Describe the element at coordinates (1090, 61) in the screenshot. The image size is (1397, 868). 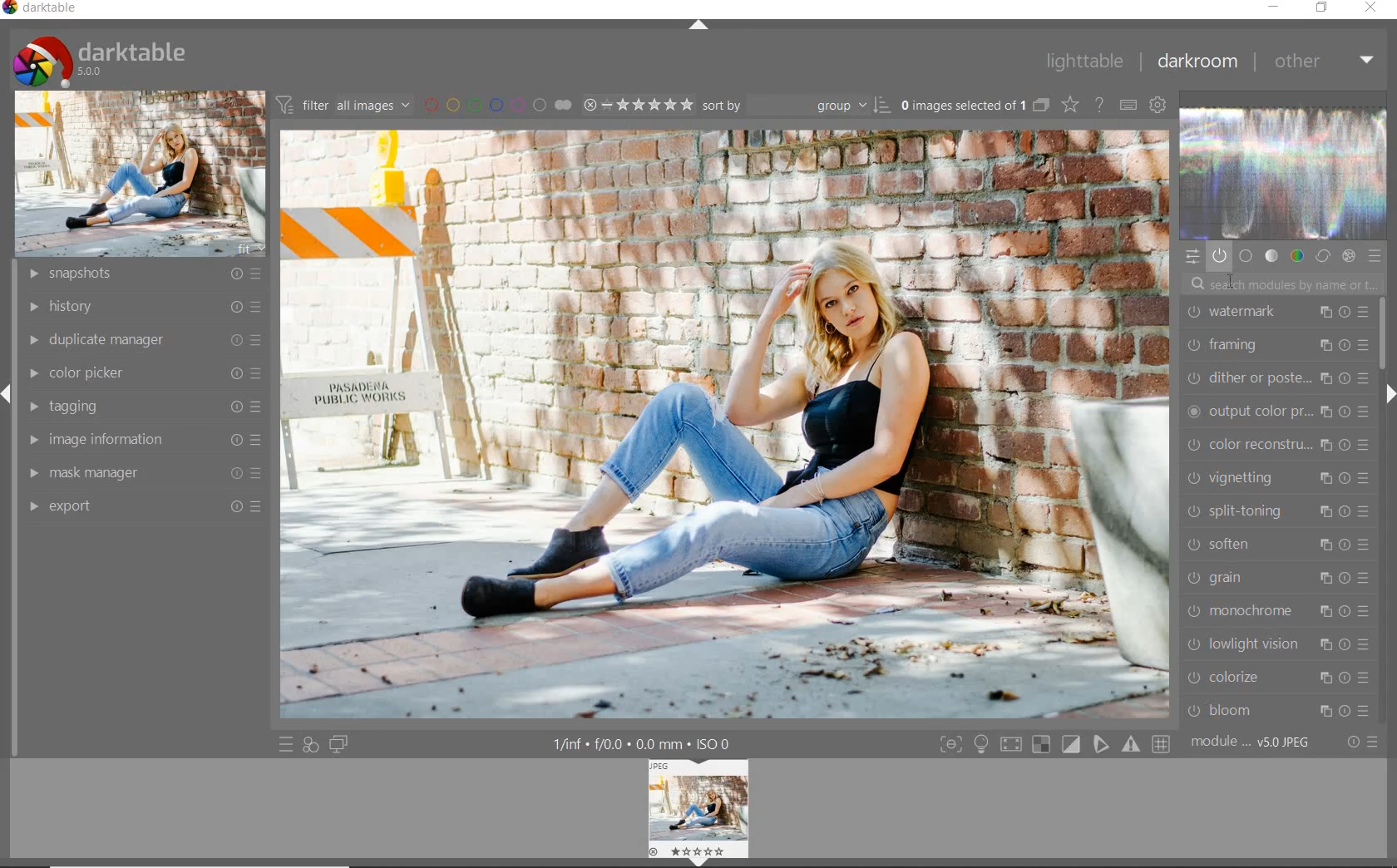
I see `lighttable` at that location.